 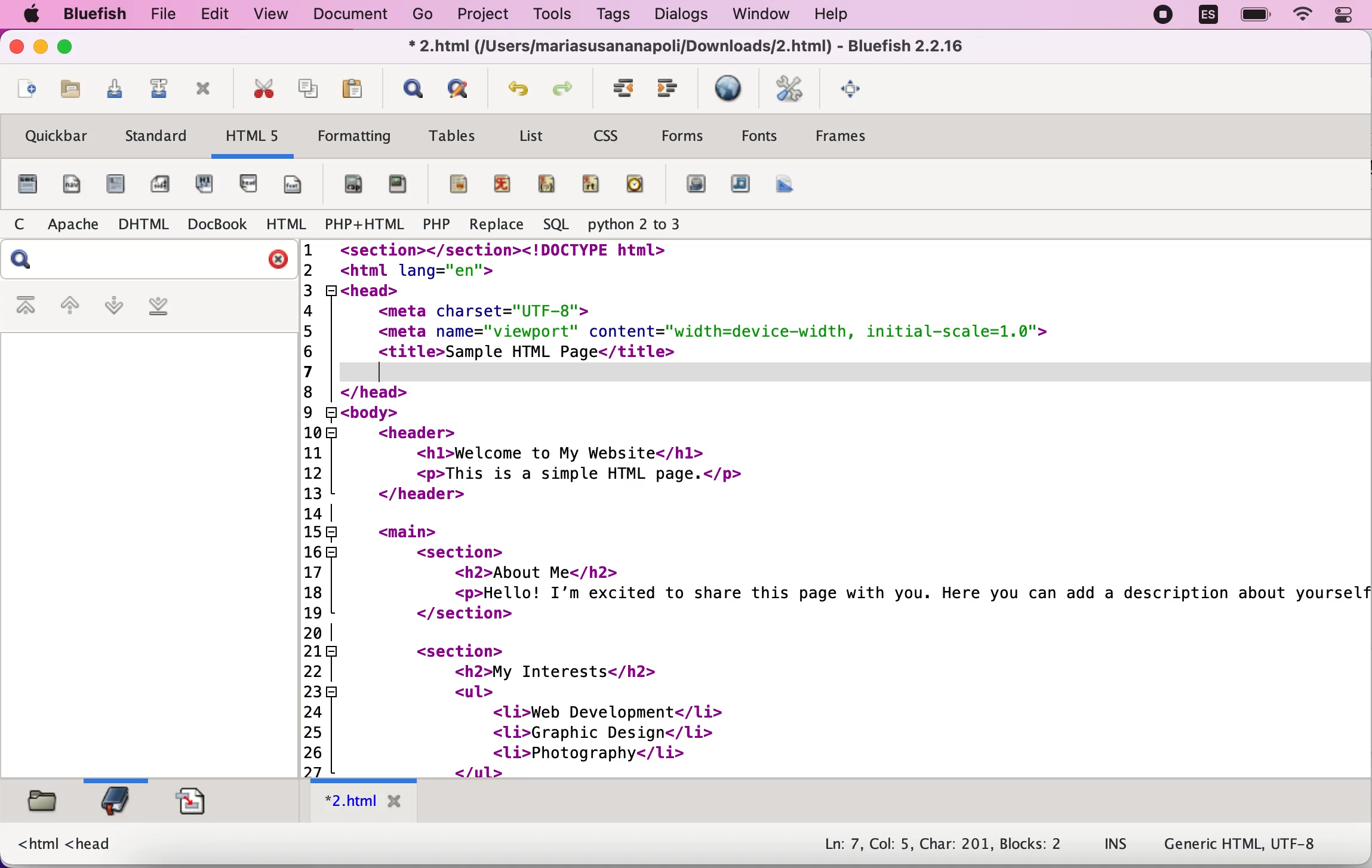 I want to click on apache, so click(x=76, y=223).